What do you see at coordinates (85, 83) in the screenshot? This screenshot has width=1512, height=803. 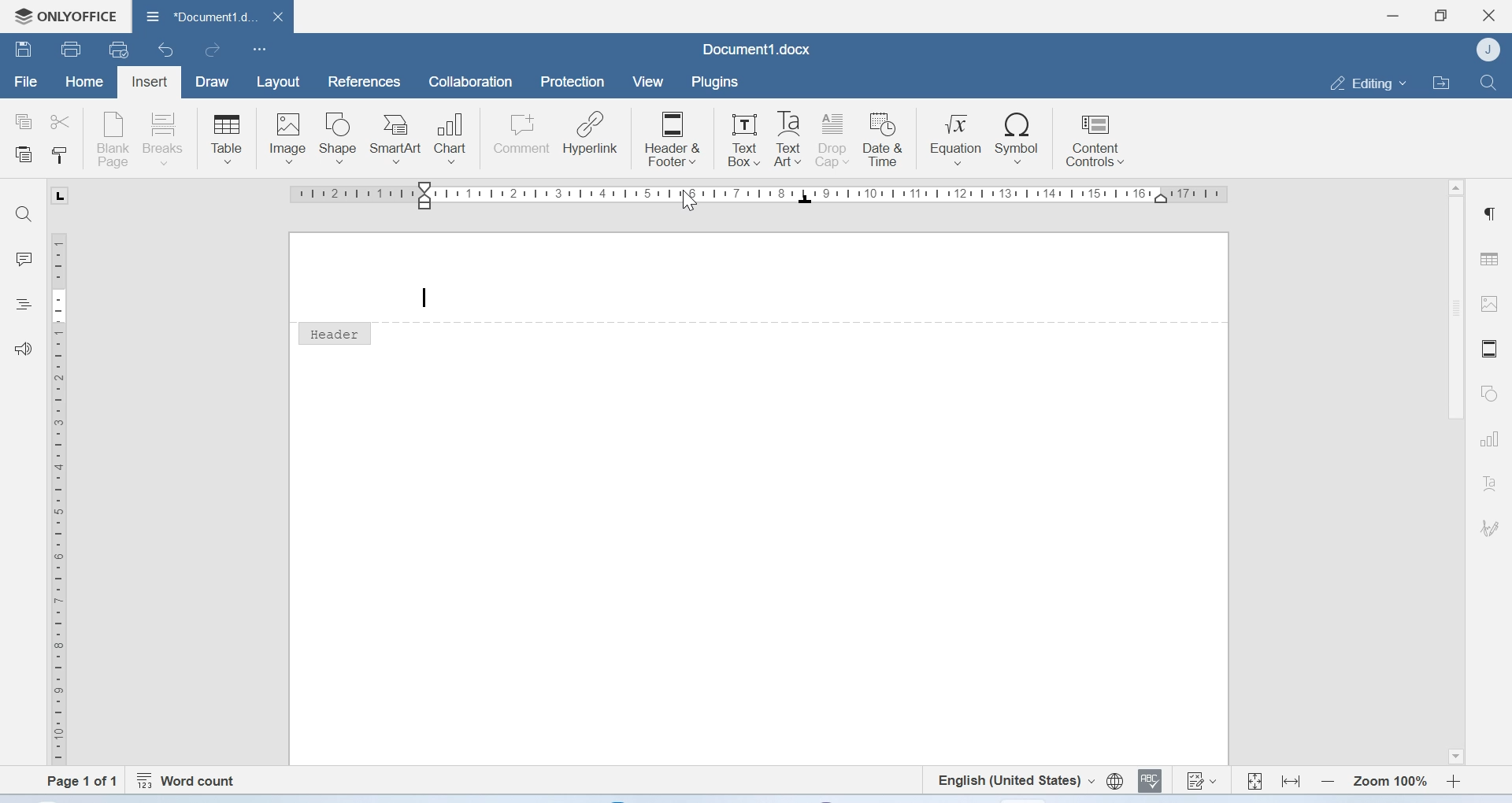 I see `Home` at bounding box center [85, 83].